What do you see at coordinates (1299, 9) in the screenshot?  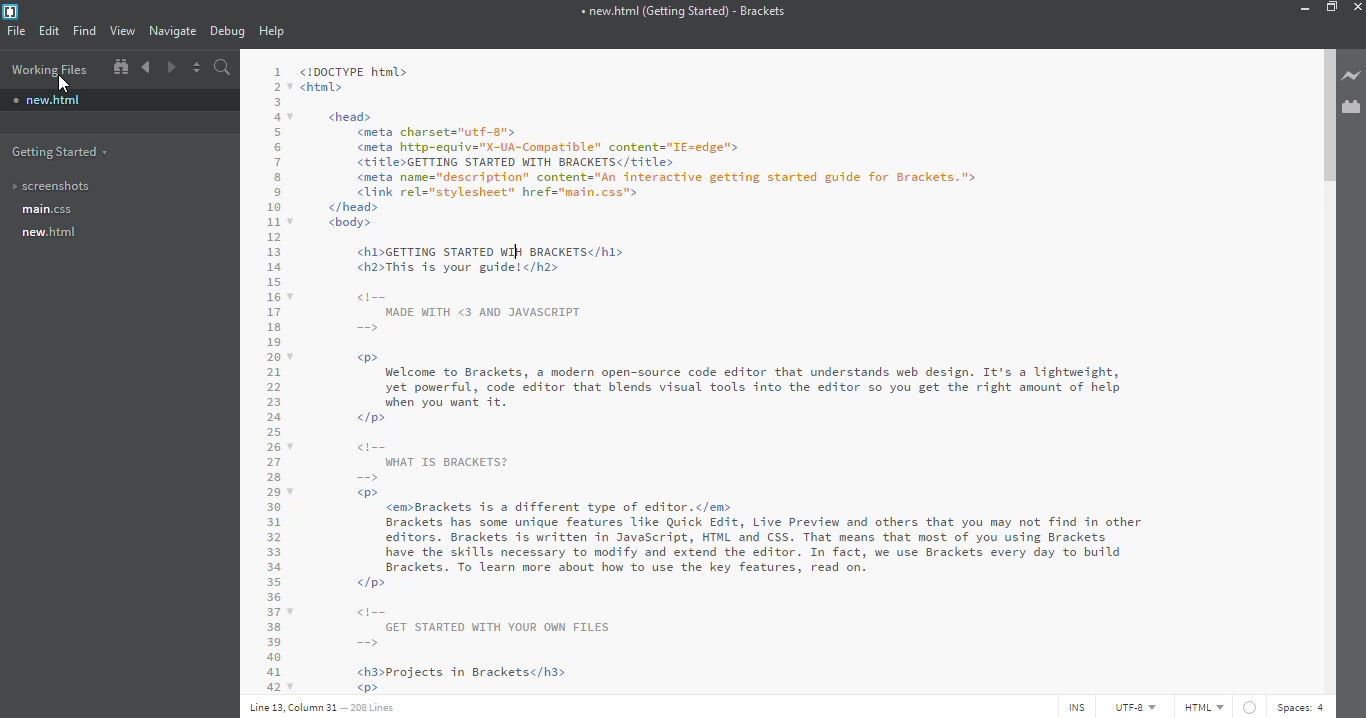 I see `minimize` at bounding box center [1299, 9].